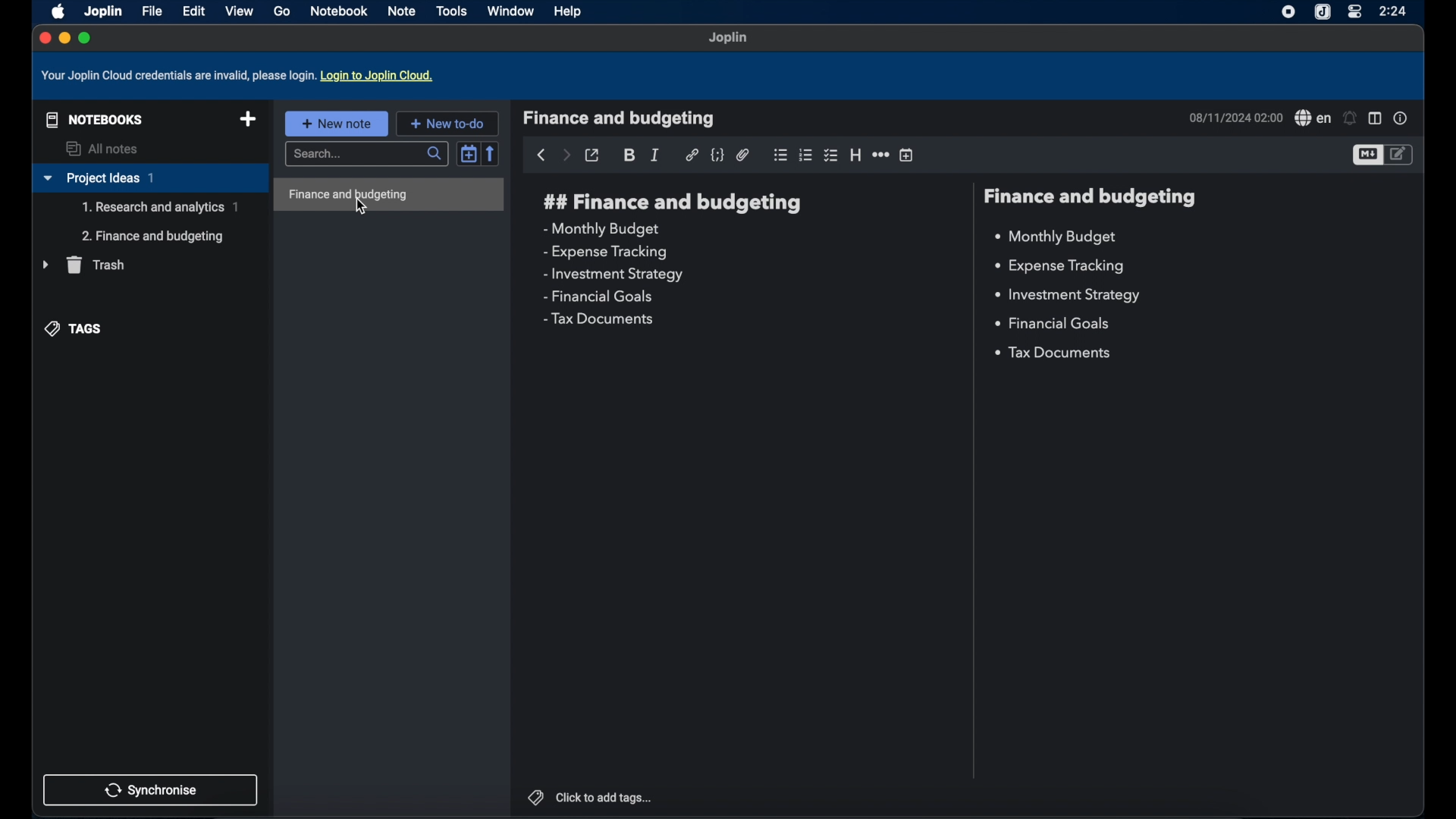 The height and width of the screenshot is (819, 1456). What do you see at coordinates (91, 118) in the screenshot?
I see `notebooks` at bounding box center [91, 118].